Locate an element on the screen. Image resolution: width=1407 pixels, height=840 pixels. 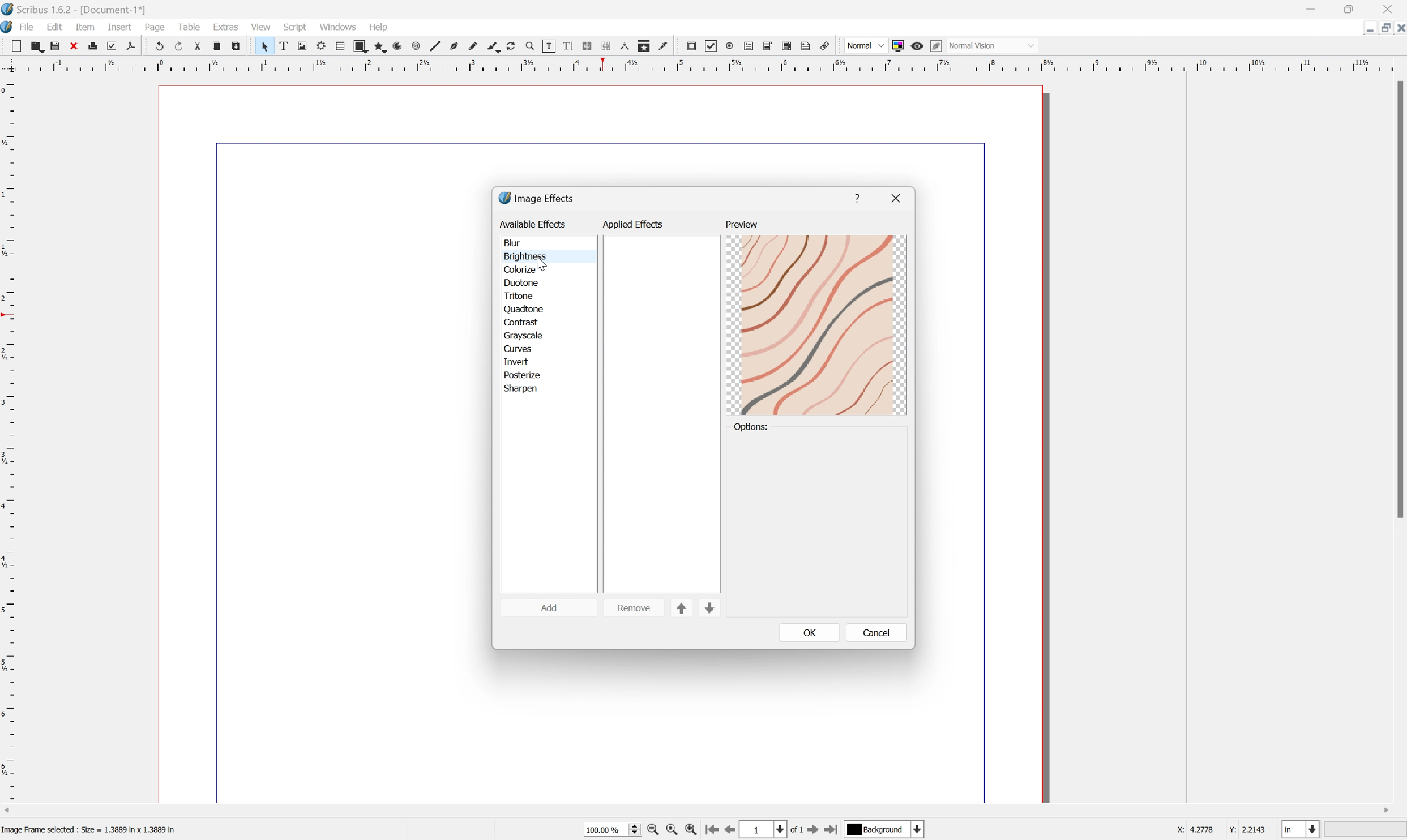
Last Page is located at coordinates (835, 829).